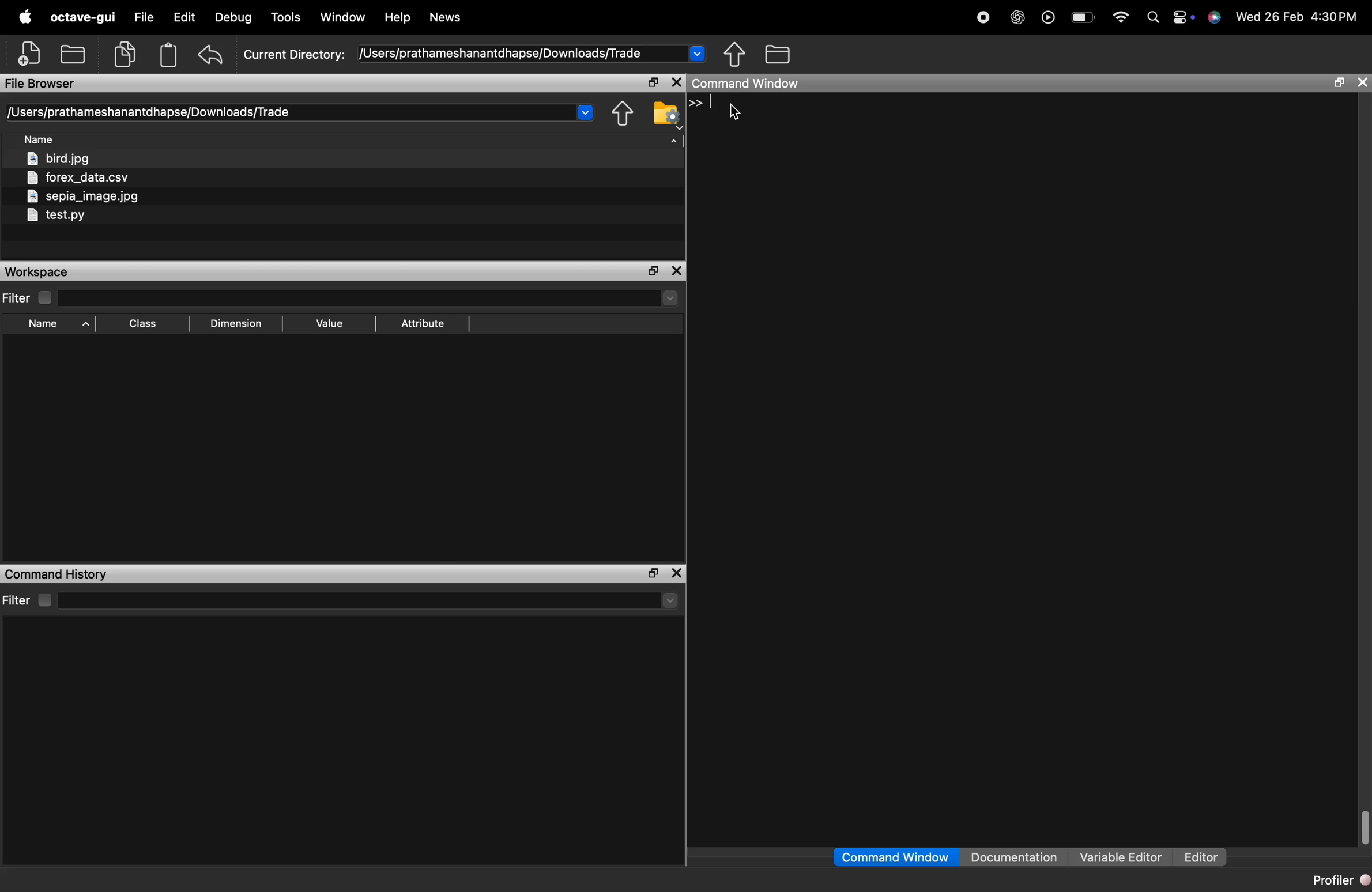 The height and width of the screenshot is (892, 1372). What do you see at coordinates (144, 16) in the screenshot?
I see `file` at bounding box center [144, 16].